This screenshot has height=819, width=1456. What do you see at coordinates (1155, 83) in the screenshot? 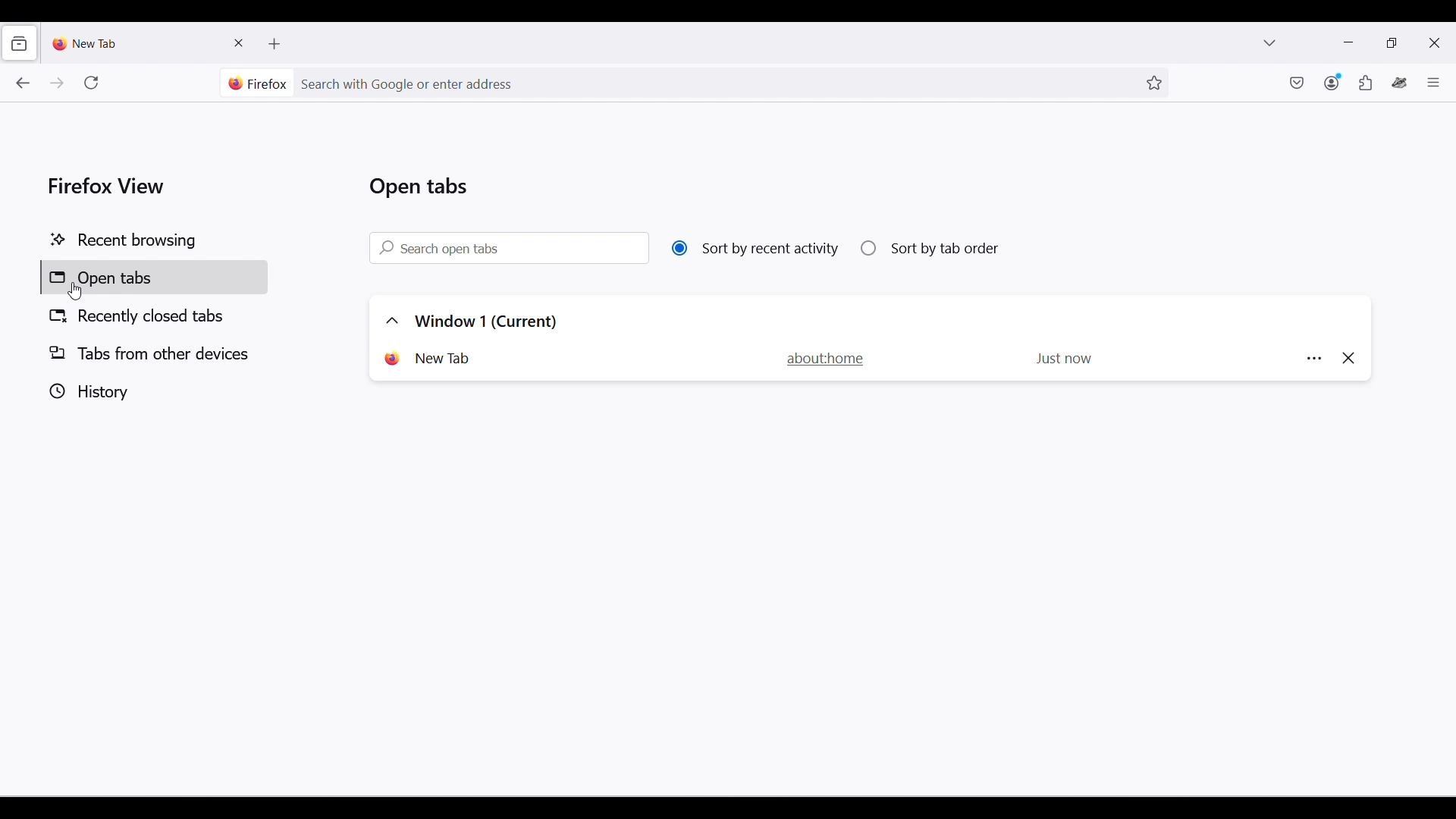
I see `Bookmark this page` at bounding box center [1155, 83].